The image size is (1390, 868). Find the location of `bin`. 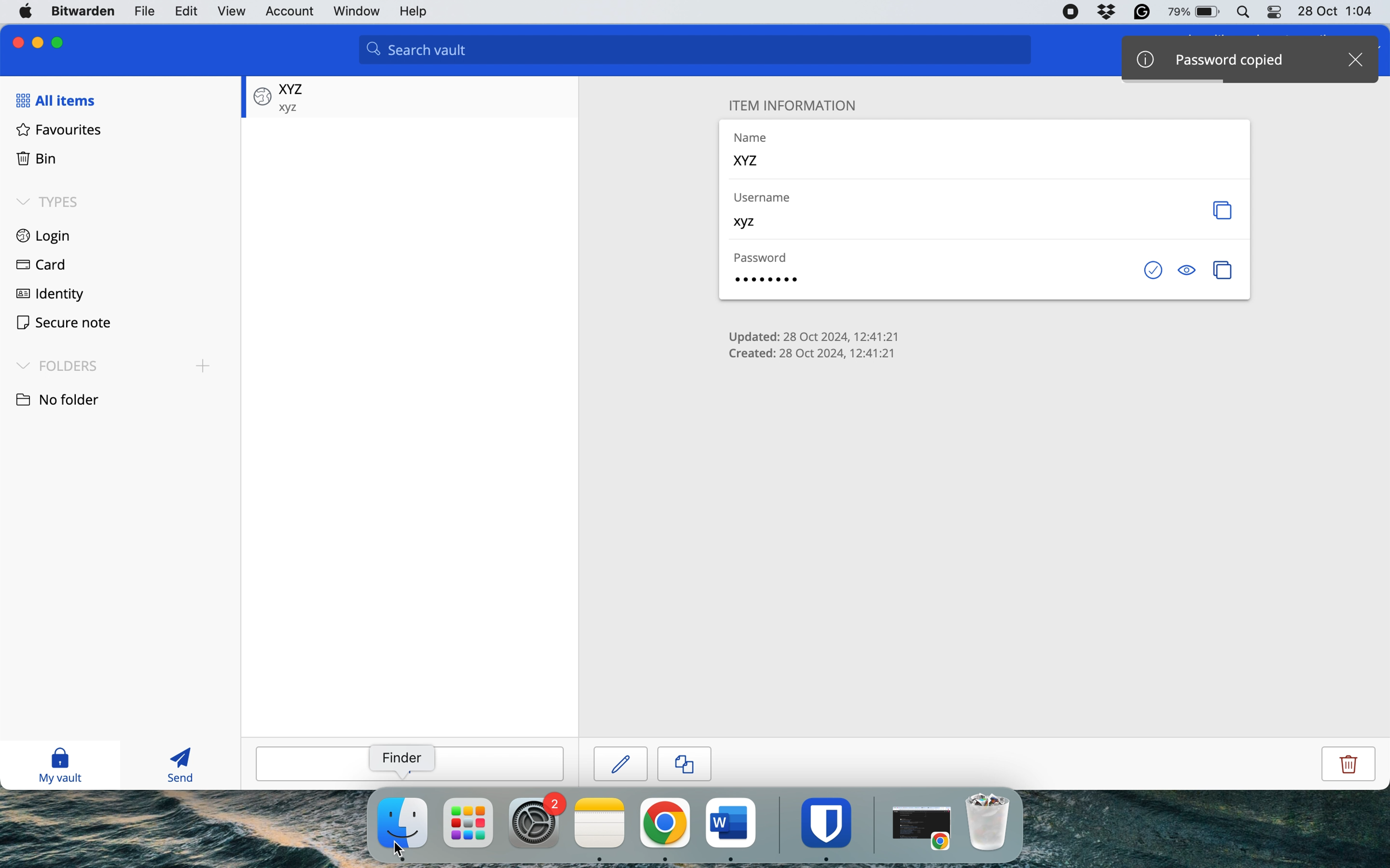

bin is located at coordinates (994, 821).